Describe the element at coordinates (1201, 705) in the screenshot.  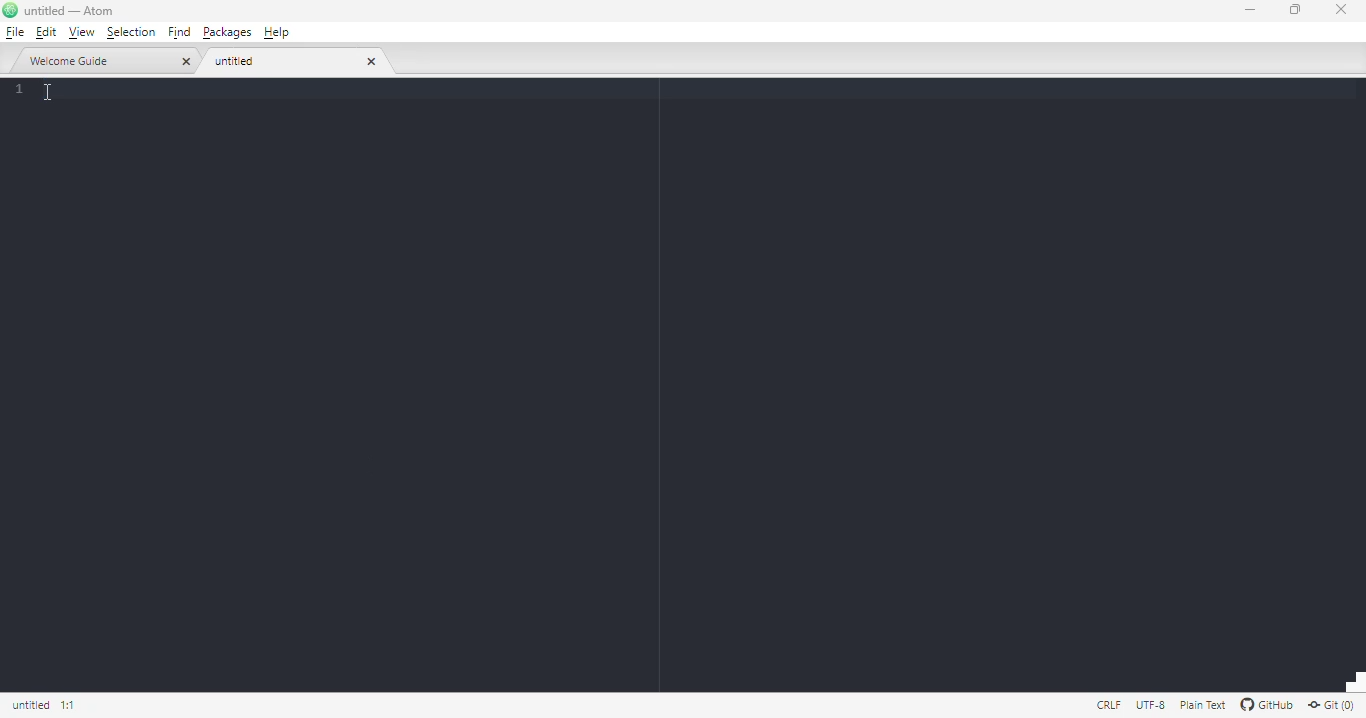
I see `file uses the plain text grammar` at that location.